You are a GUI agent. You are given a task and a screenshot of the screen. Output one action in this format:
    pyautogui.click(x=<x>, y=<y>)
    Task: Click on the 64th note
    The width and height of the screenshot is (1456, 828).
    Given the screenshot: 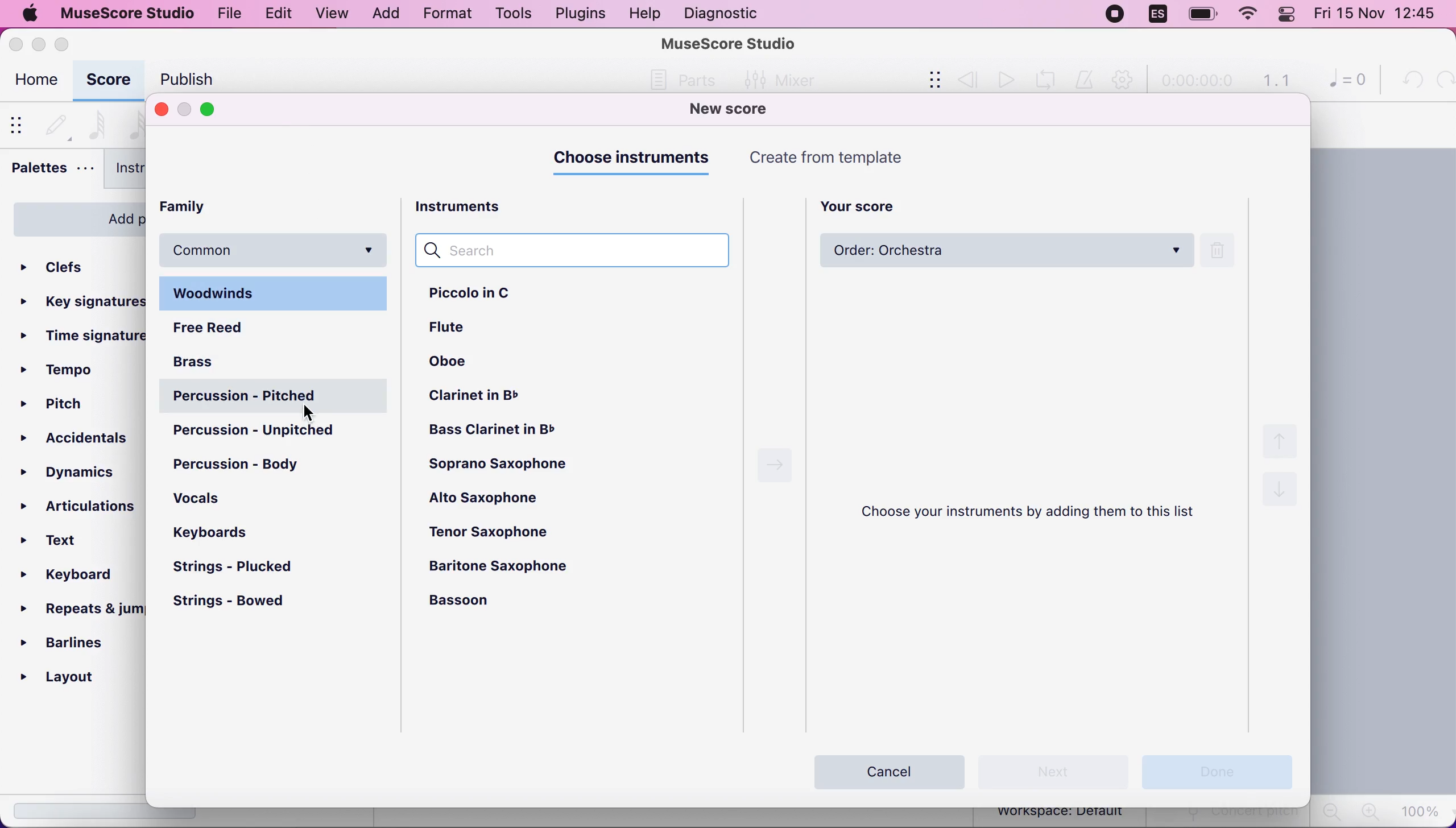 What is the action you would take?
    pyautogui.click(x=97, y=123)
    